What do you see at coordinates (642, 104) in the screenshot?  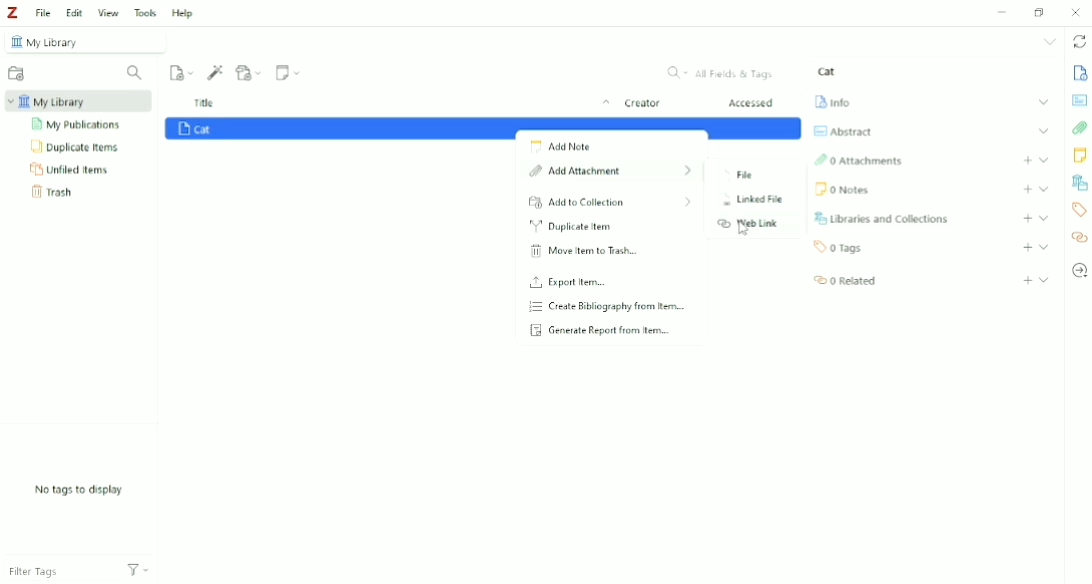 I see `Creator` at bounding box center [642, 104].